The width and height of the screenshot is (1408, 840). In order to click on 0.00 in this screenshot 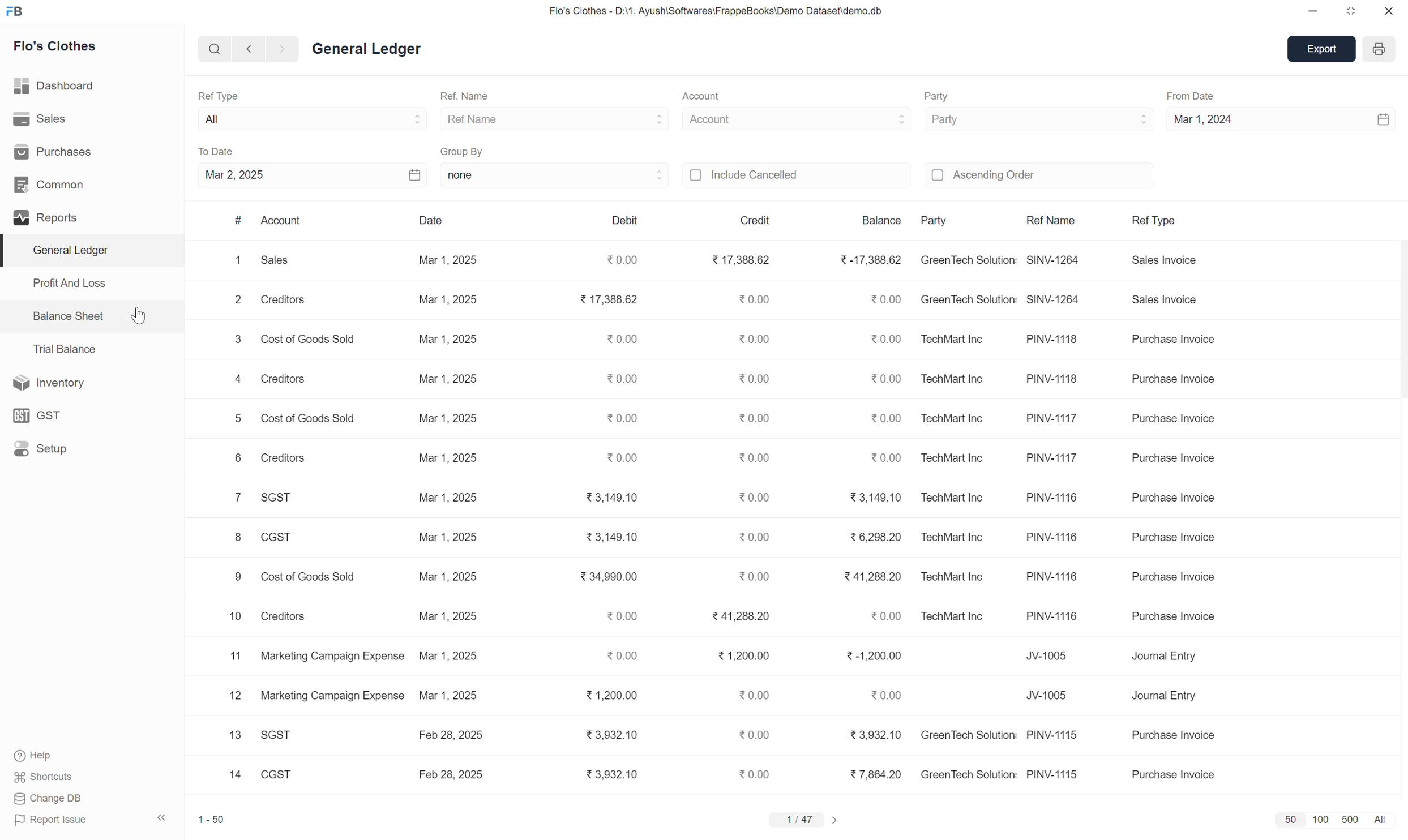, I will do `click(750, 418)`.